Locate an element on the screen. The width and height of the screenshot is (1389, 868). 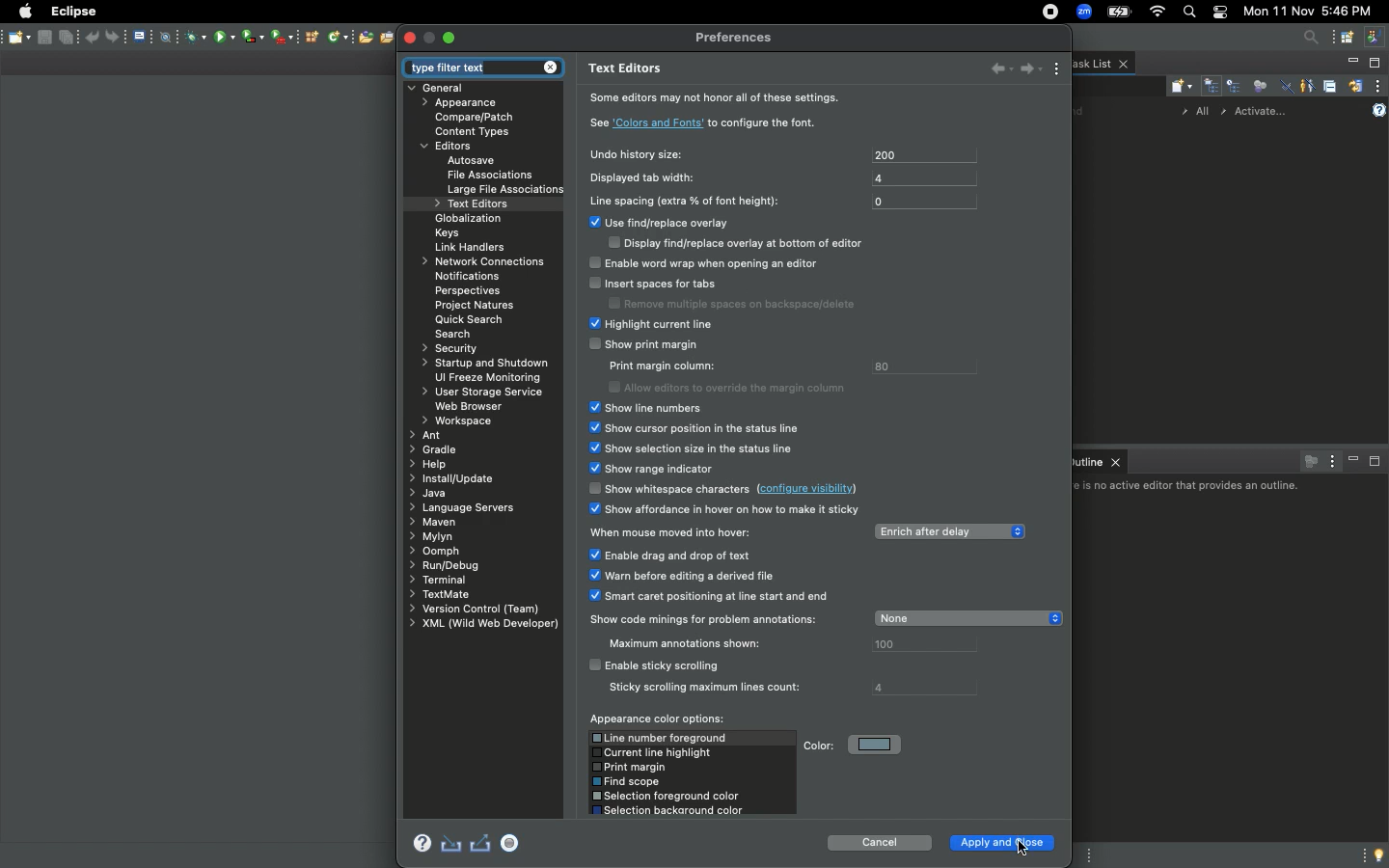
User storage service is located at coordinates (485, 391).